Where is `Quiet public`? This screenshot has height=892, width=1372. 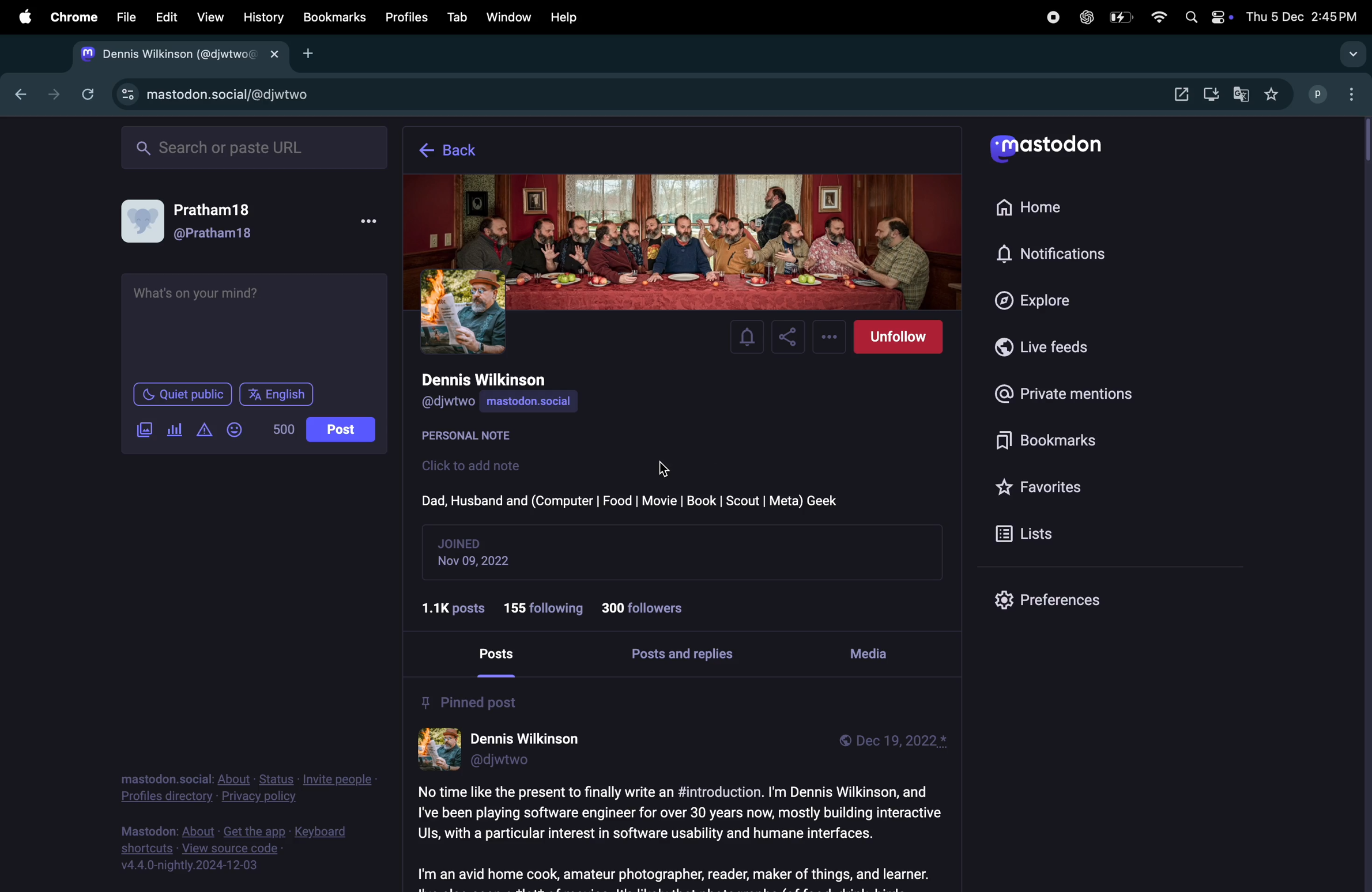 Quiet public is located at coordinates (183, 394).